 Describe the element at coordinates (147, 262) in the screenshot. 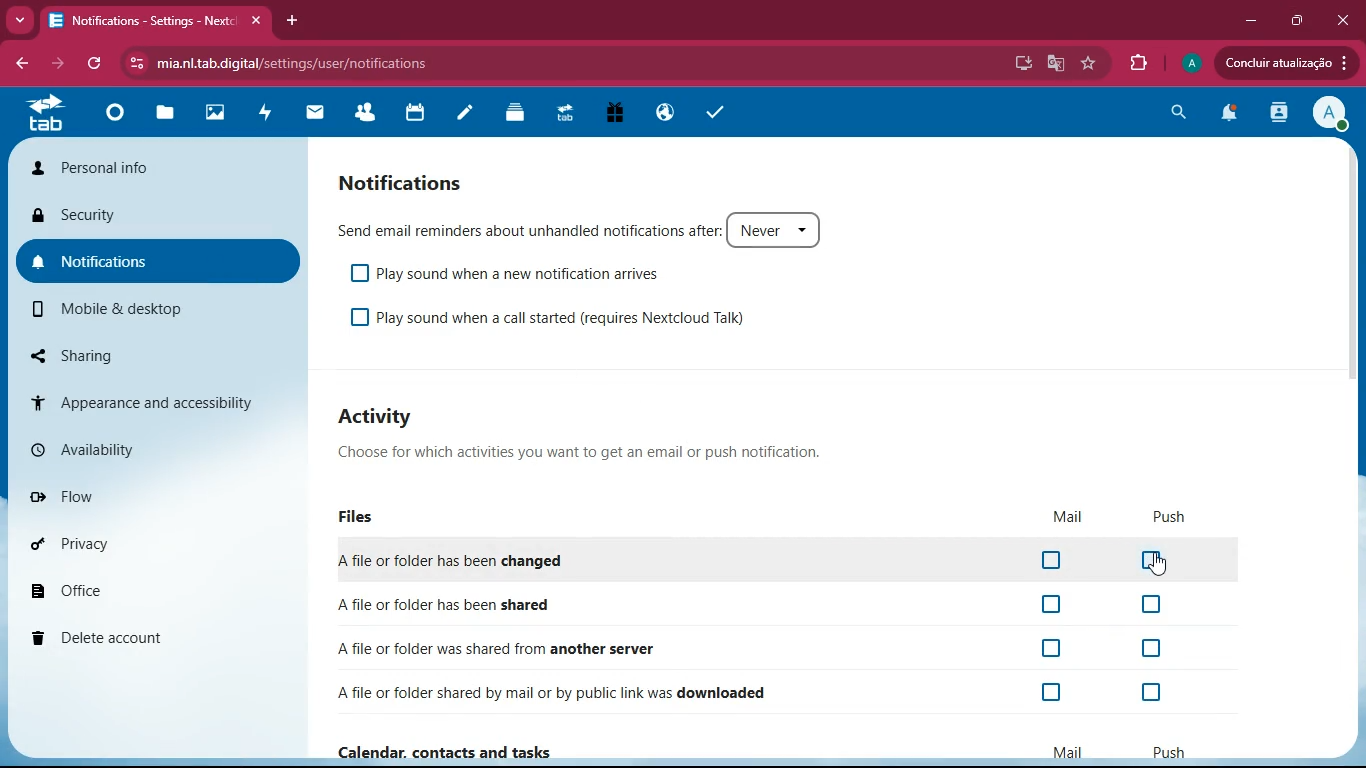

I see `notifications` at that location.